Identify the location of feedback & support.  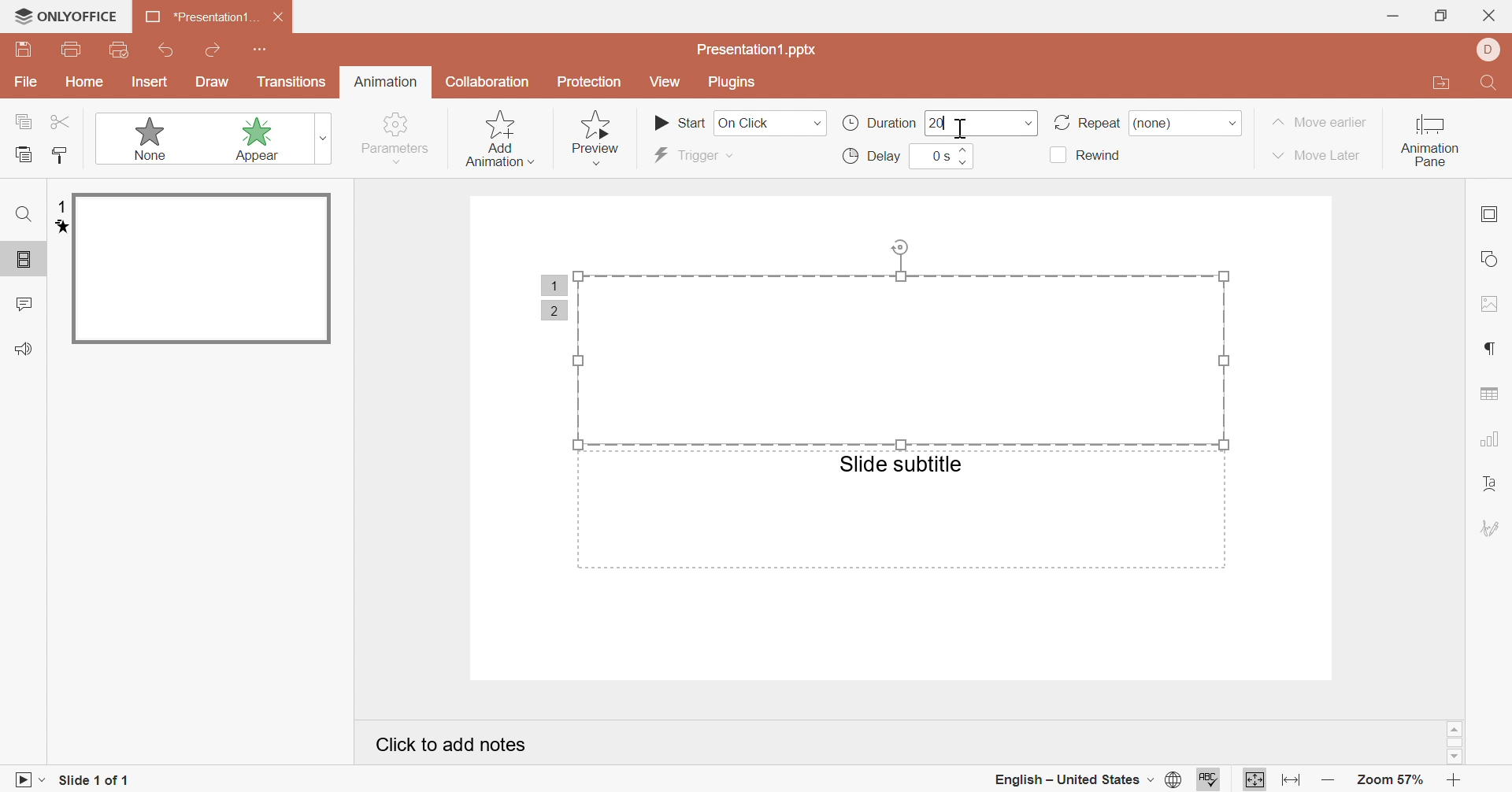
(26, 348).